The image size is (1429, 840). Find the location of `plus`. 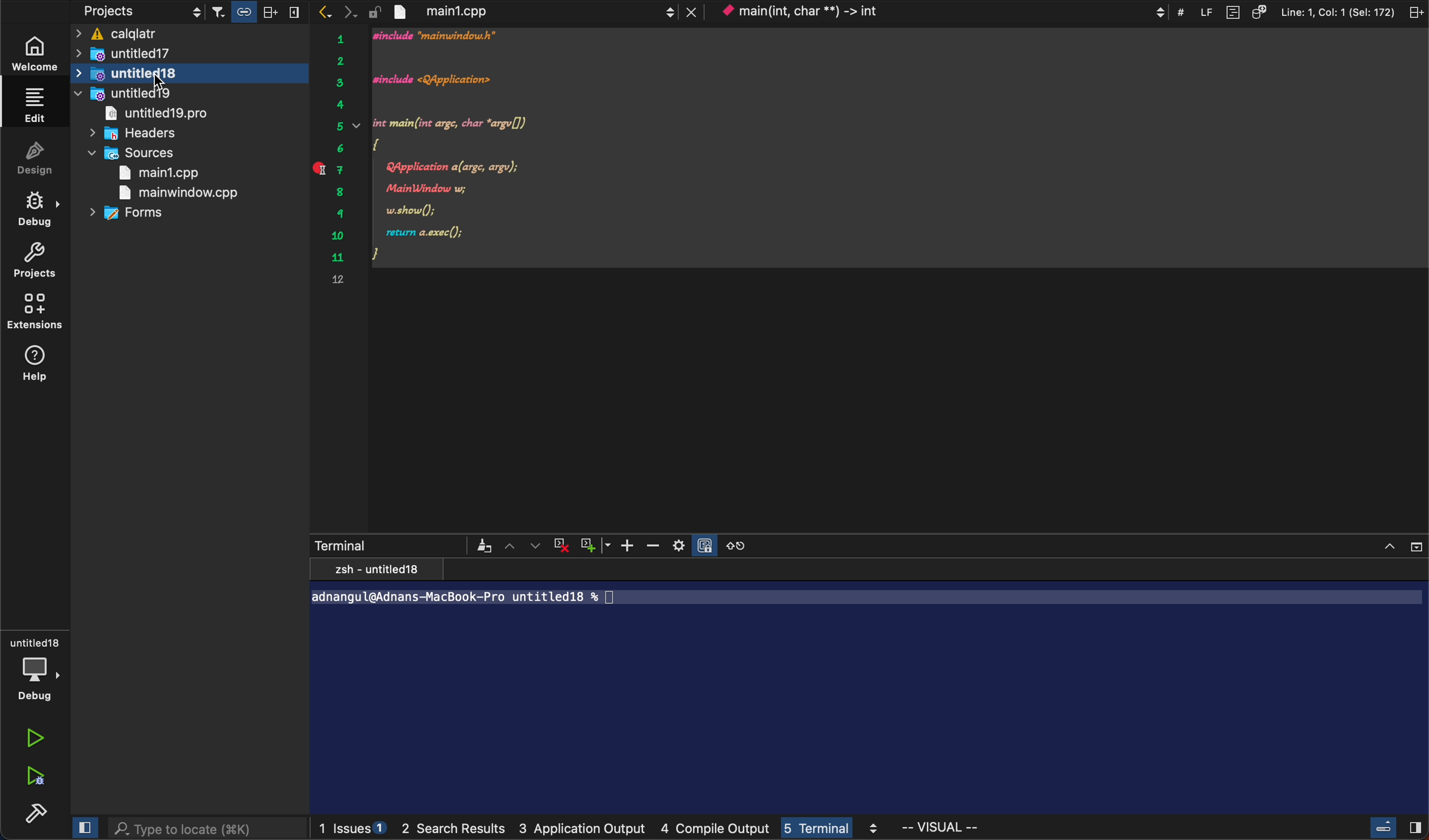

plus is located at coordinates (596, 545).